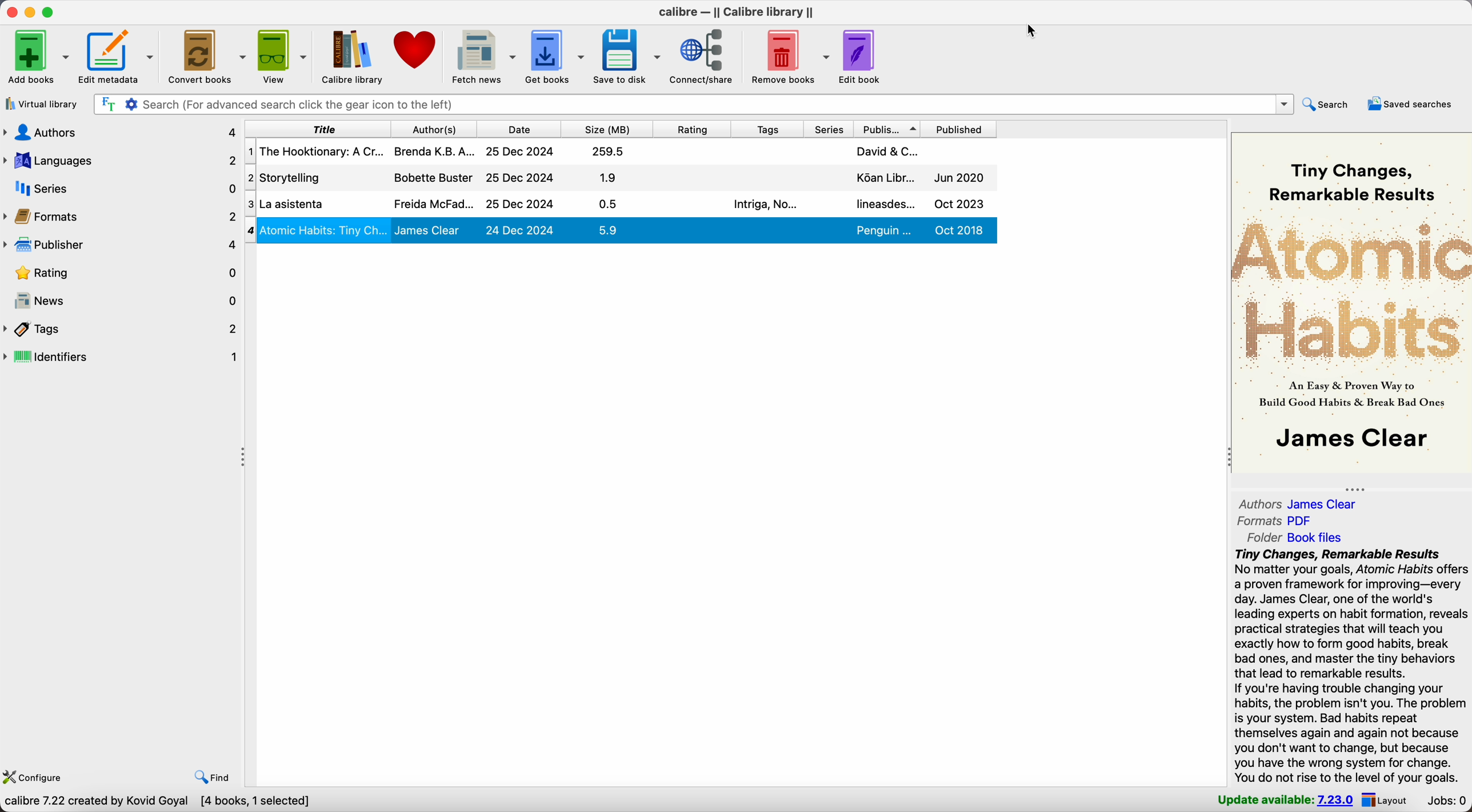  I want to click on calibre library, so click(353, 59).